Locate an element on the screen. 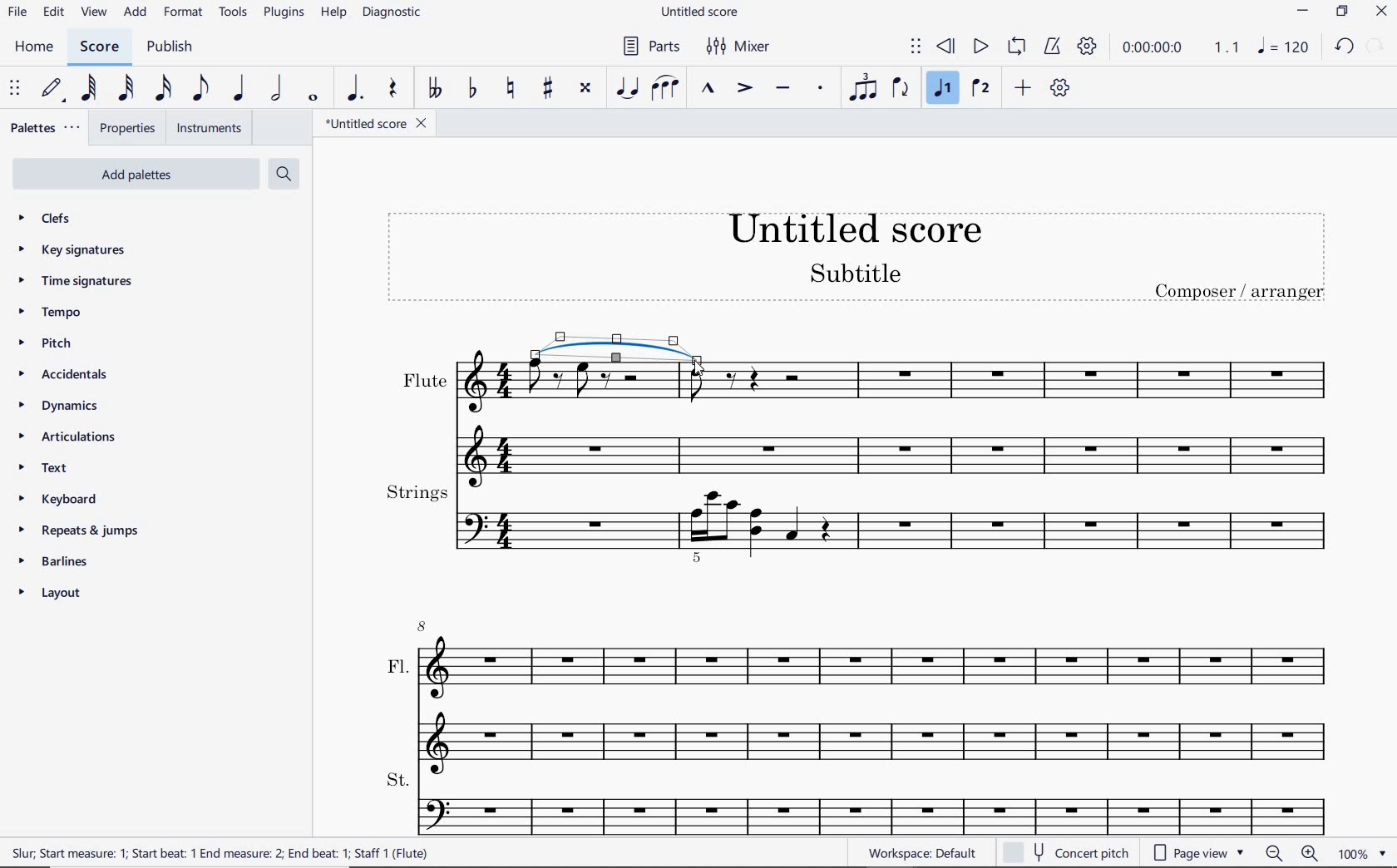  DIAGNOSTIC is located at coordinates (398, 13).